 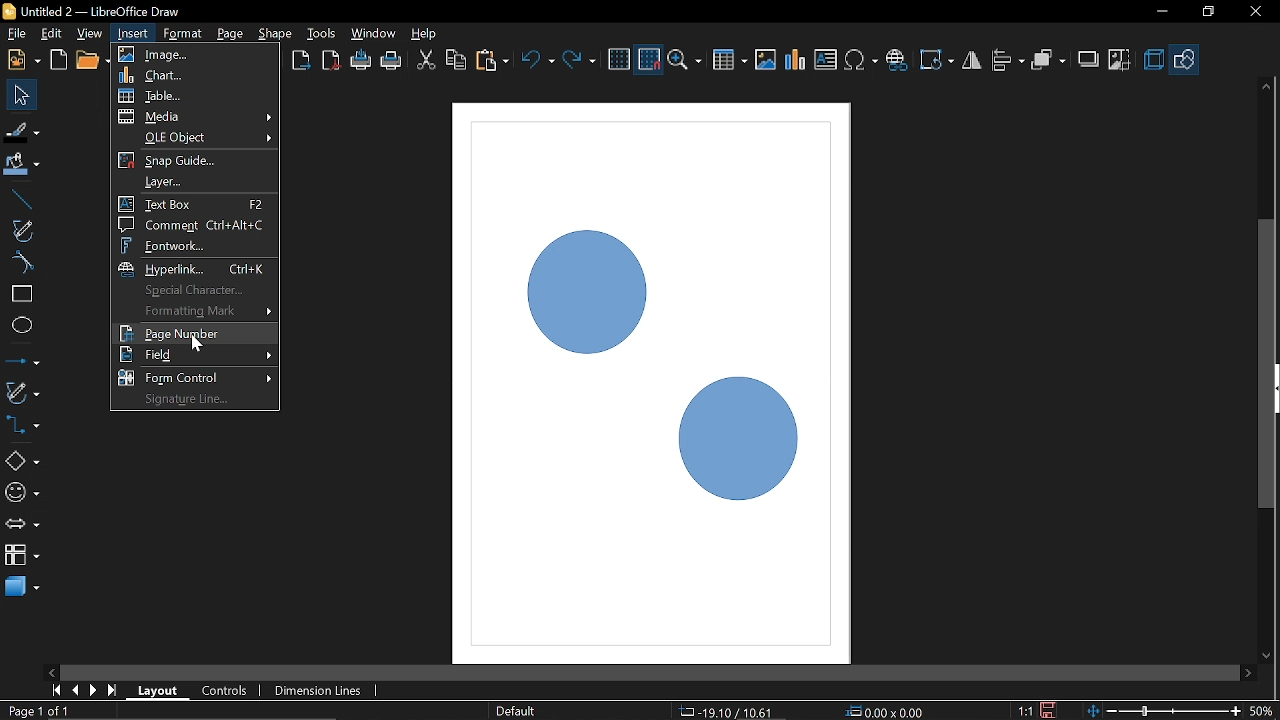 What do you see at coordinates (190, 290) in the screenshot?
I see `Special character` at bounding box center [190, 290].